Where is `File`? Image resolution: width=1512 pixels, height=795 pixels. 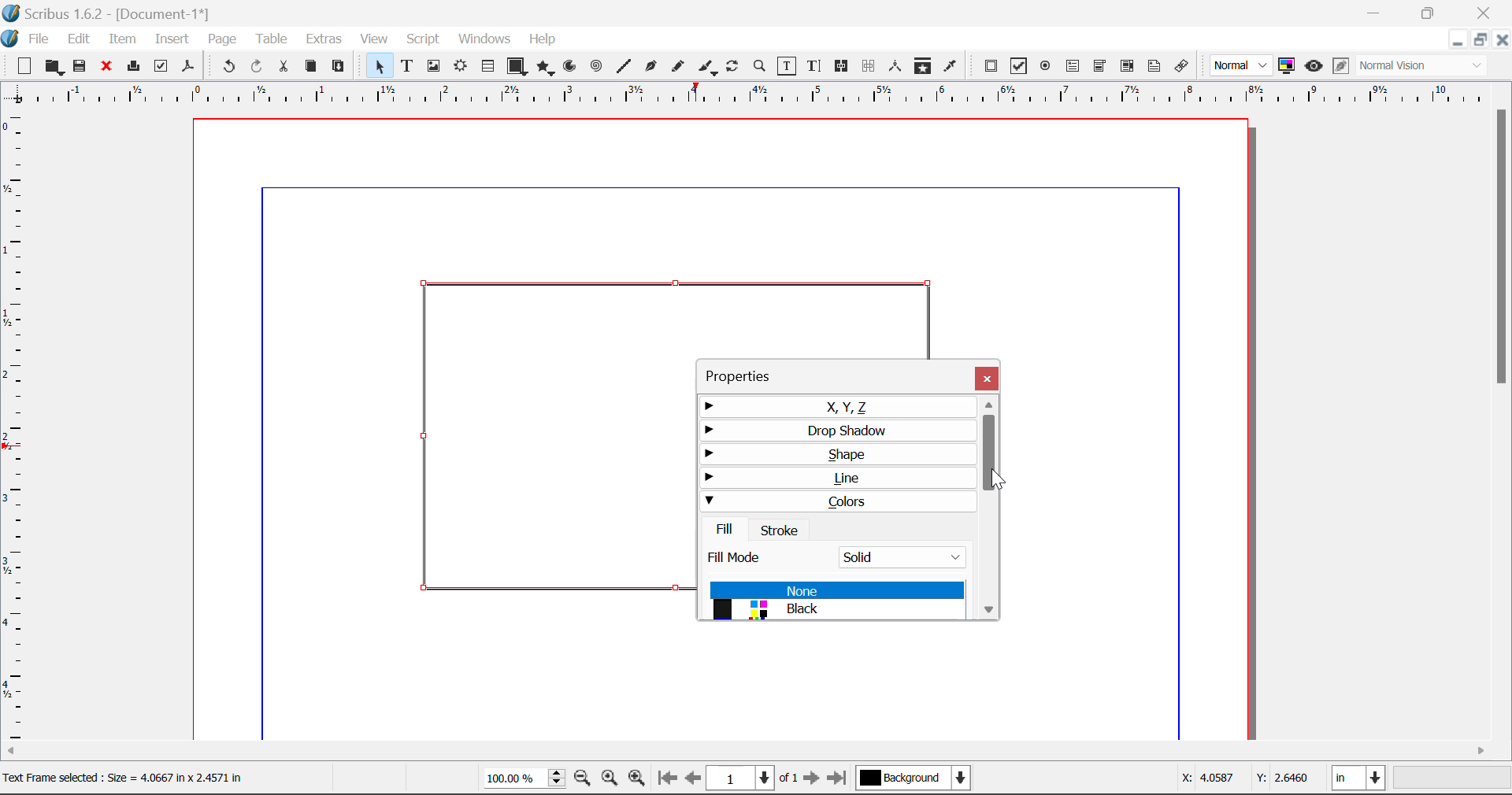
File is located at coordinates (28, 37).